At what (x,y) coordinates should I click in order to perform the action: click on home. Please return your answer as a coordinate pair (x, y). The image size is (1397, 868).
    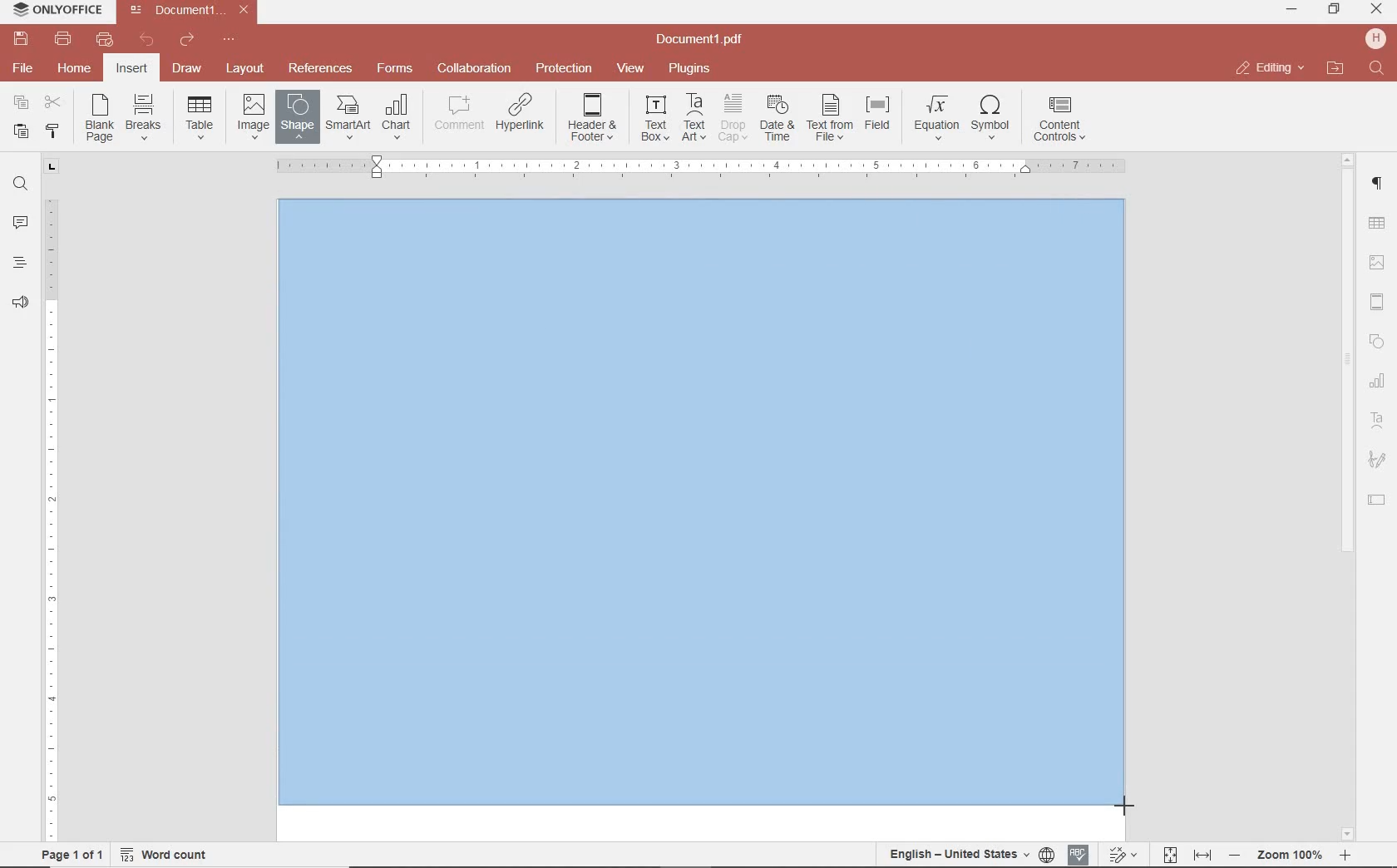
    Looking at the image, I should click on (72, 67).